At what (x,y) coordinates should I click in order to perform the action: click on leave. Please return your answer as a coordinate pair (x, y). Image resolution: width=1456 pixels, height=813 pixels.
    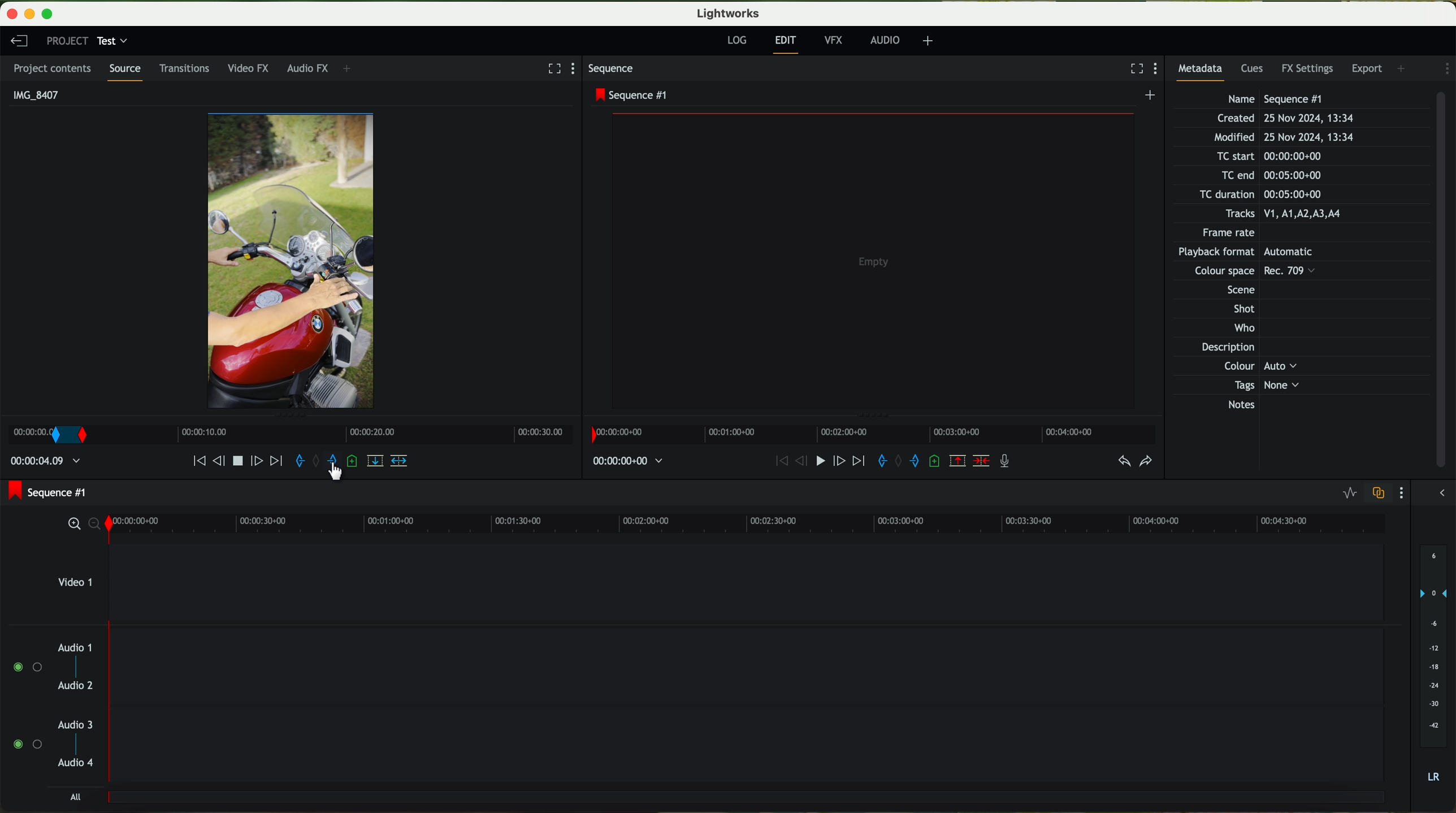
    Looking at the image, I should click on (18, 40).